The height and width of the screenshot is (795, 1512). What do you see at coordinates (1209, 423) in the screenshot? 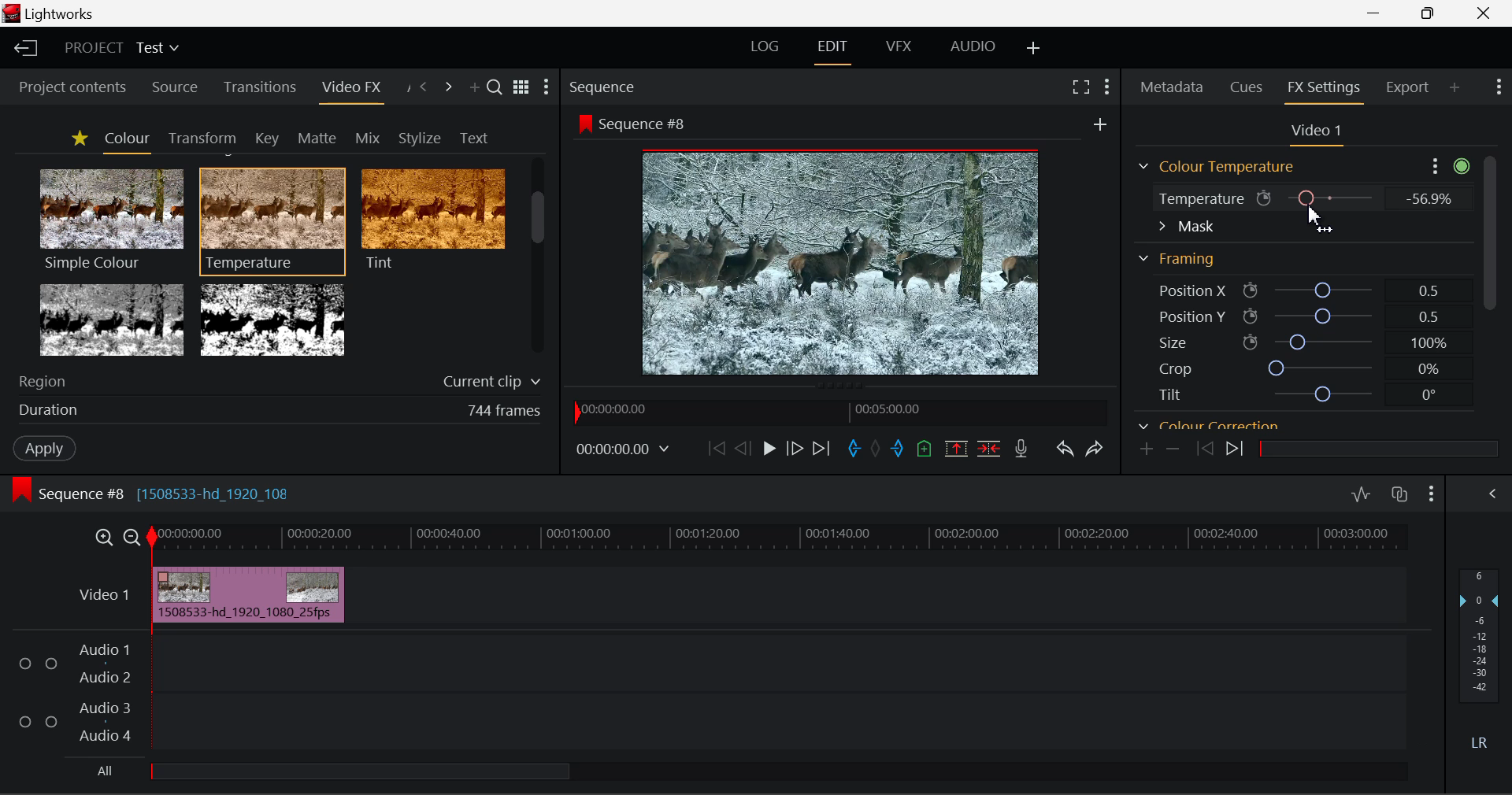
I see `Colour correction` at bounding box center [1209, 423].